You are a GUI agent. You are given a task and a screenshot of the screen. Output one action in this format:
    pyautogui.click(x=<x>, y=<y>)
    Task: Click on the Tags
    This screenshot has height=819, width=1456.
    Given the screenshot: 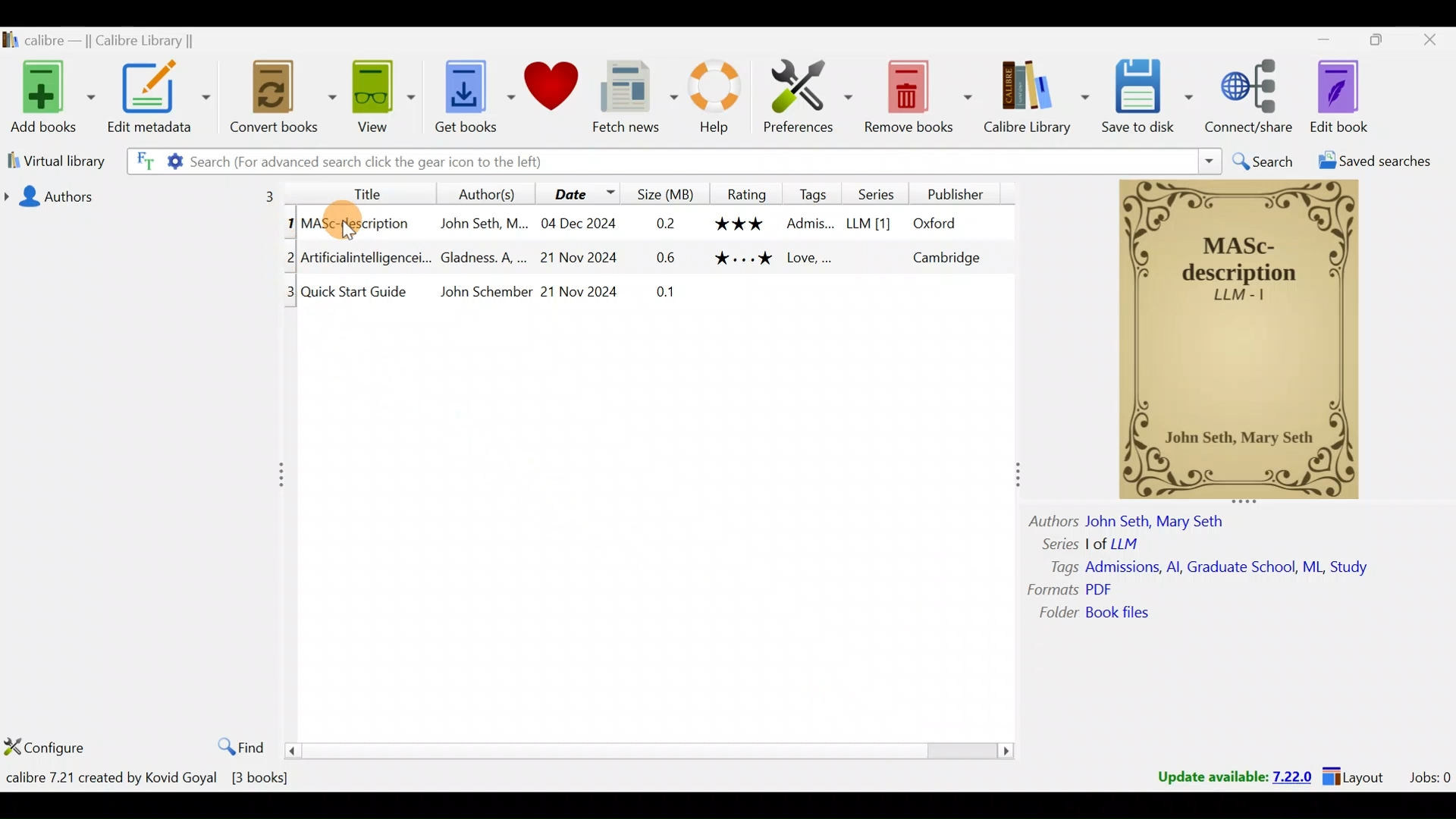 What is the action you would take?
    pyautogui.click(x=812, y=193)
    